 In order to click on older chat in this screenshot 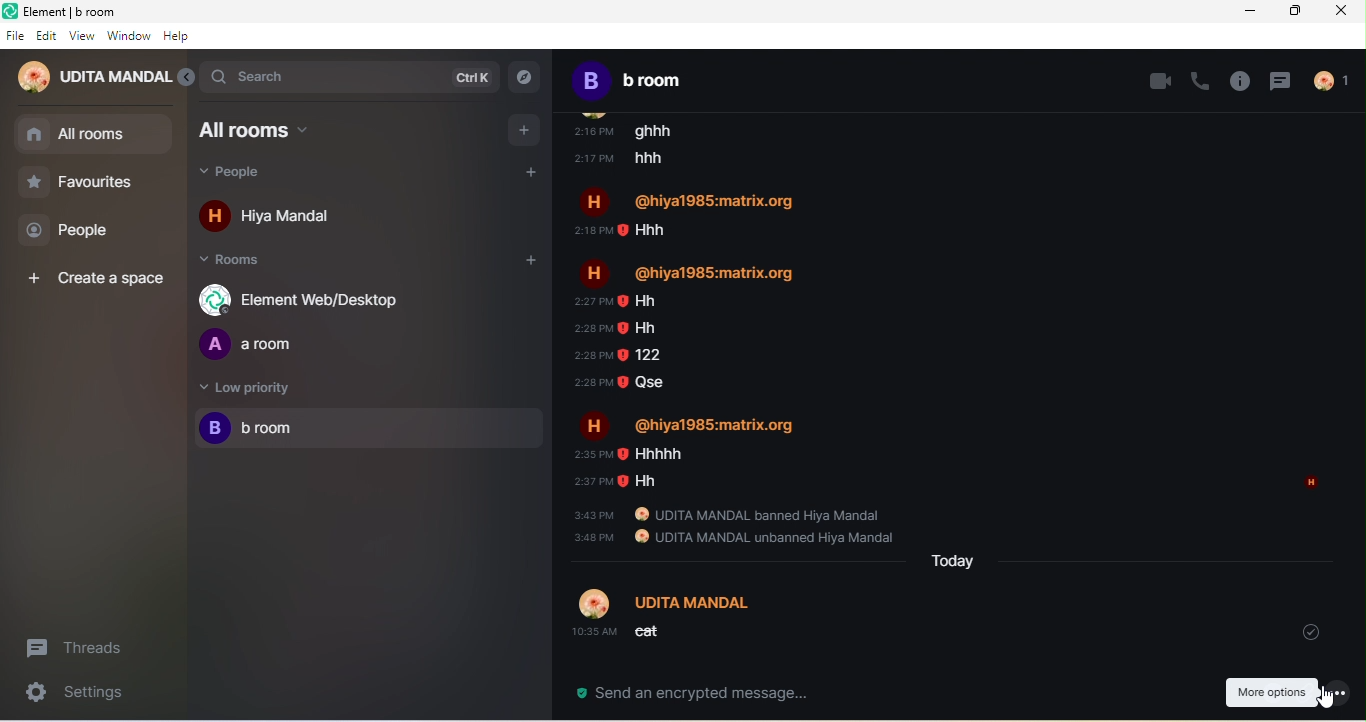, I will do `click(950, 325)`.